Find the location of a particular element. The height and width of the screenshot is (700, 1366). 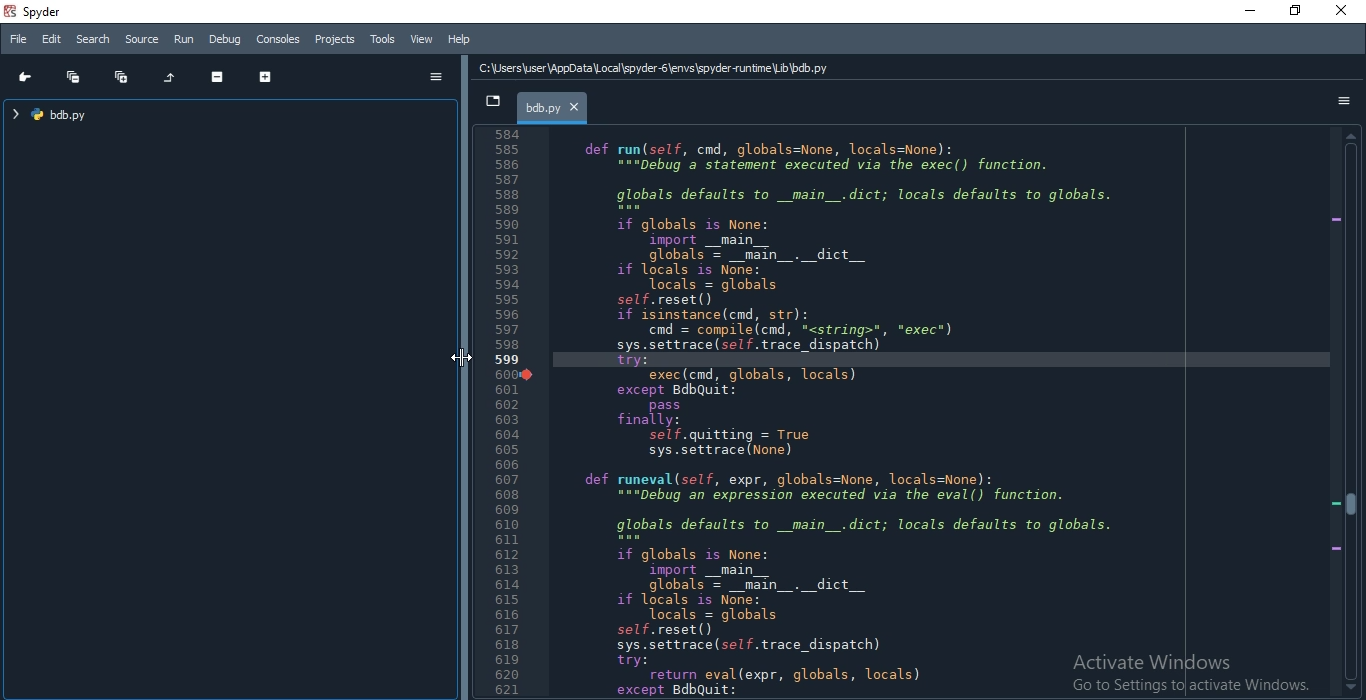

Run is located at coordinates (184, 38).